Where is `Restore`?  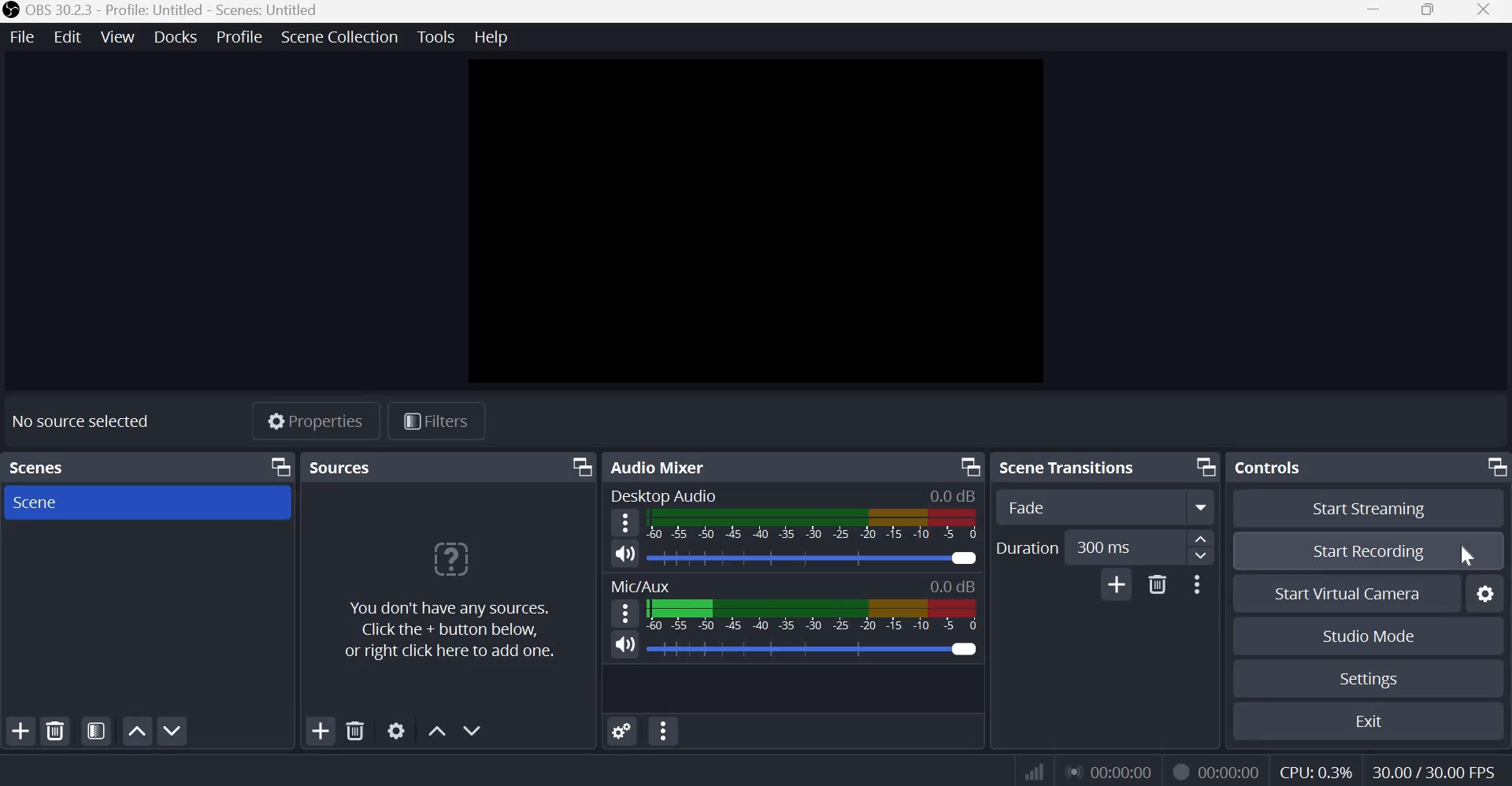 Restore is located at coordinates (1427, 12).